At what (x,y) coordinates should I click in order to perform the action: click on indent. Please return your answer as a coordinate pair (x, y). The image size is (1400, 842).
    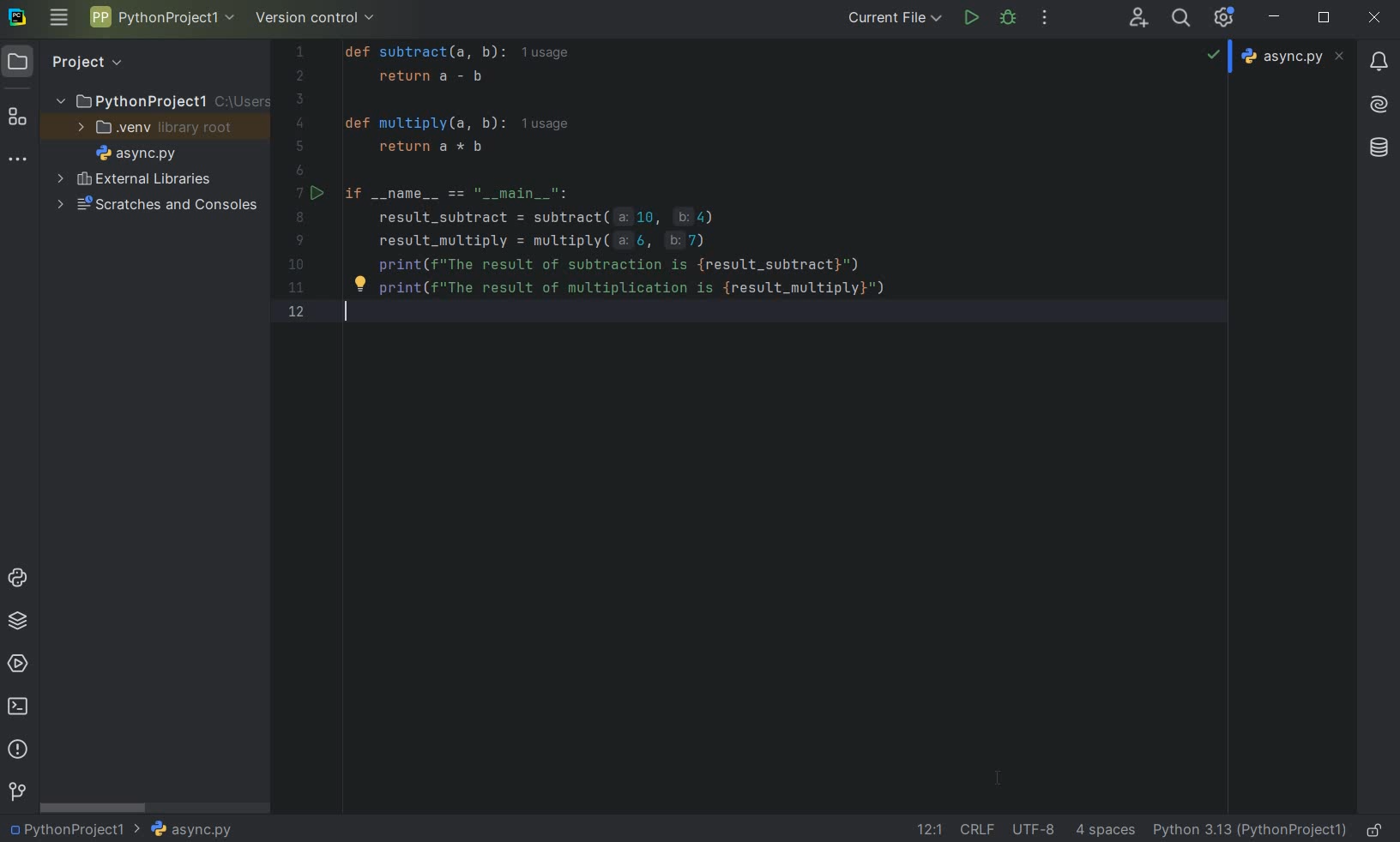
    Looking at the image, I should click on (1105, 830).